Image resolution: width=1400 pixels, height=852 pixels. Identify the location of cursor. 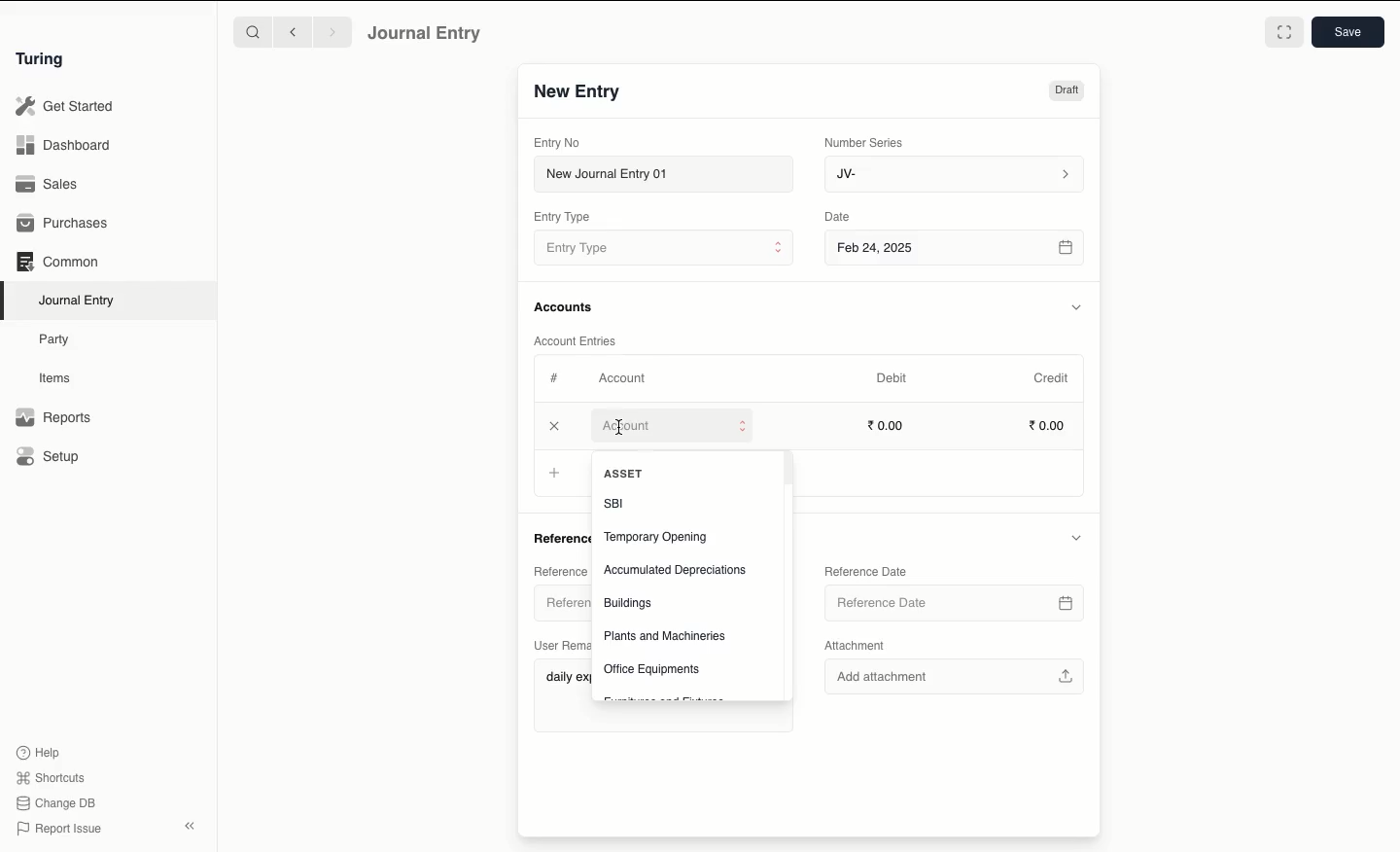
(624, 426).